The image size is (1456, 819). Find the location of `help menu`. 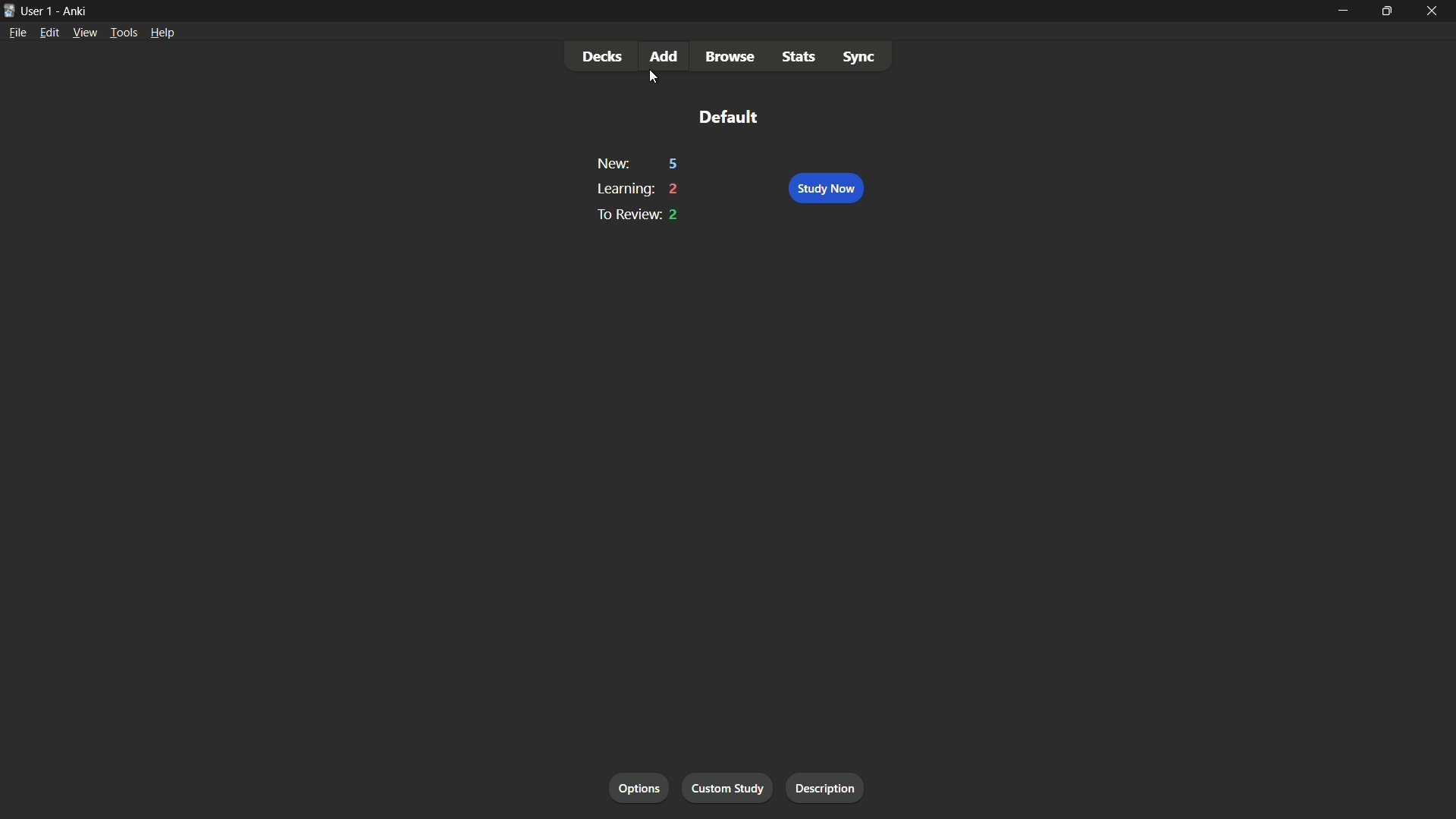

help menu is located at coordinates (162, 33).